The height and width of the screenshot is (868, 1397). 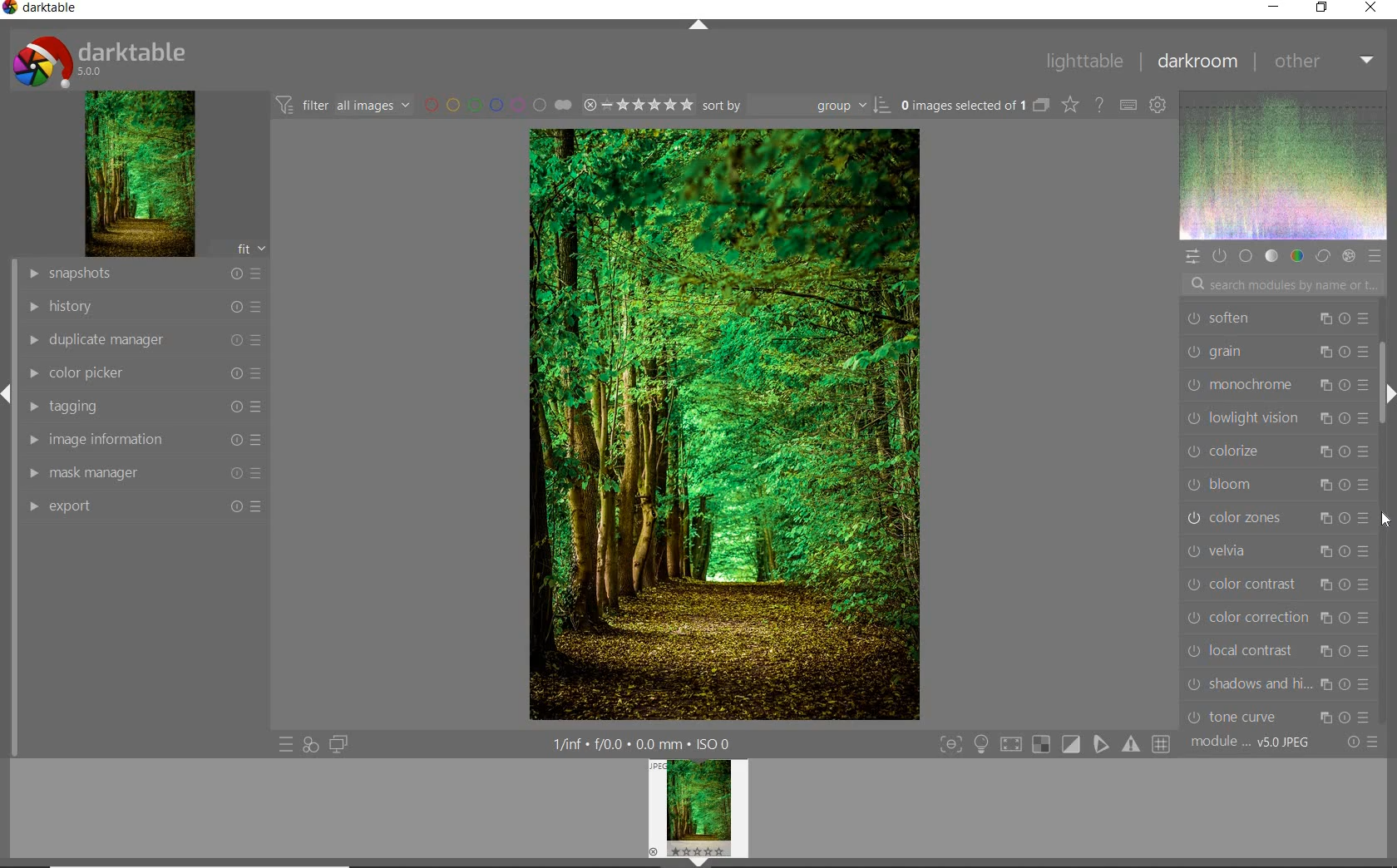 What do you see at coordinates (1387, 520) in the screenshot?
I see `cursor` at bounding box center [1387, 520].